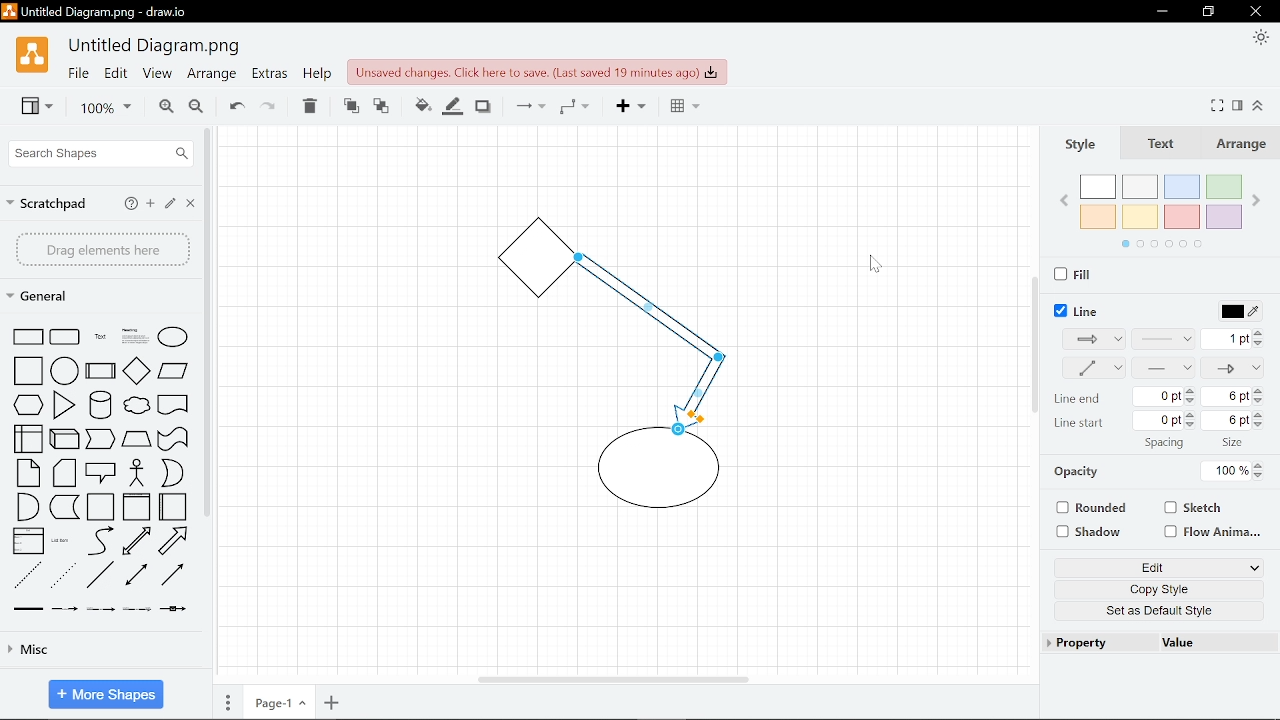  I want to click on Zoom in, so click(162, 107).